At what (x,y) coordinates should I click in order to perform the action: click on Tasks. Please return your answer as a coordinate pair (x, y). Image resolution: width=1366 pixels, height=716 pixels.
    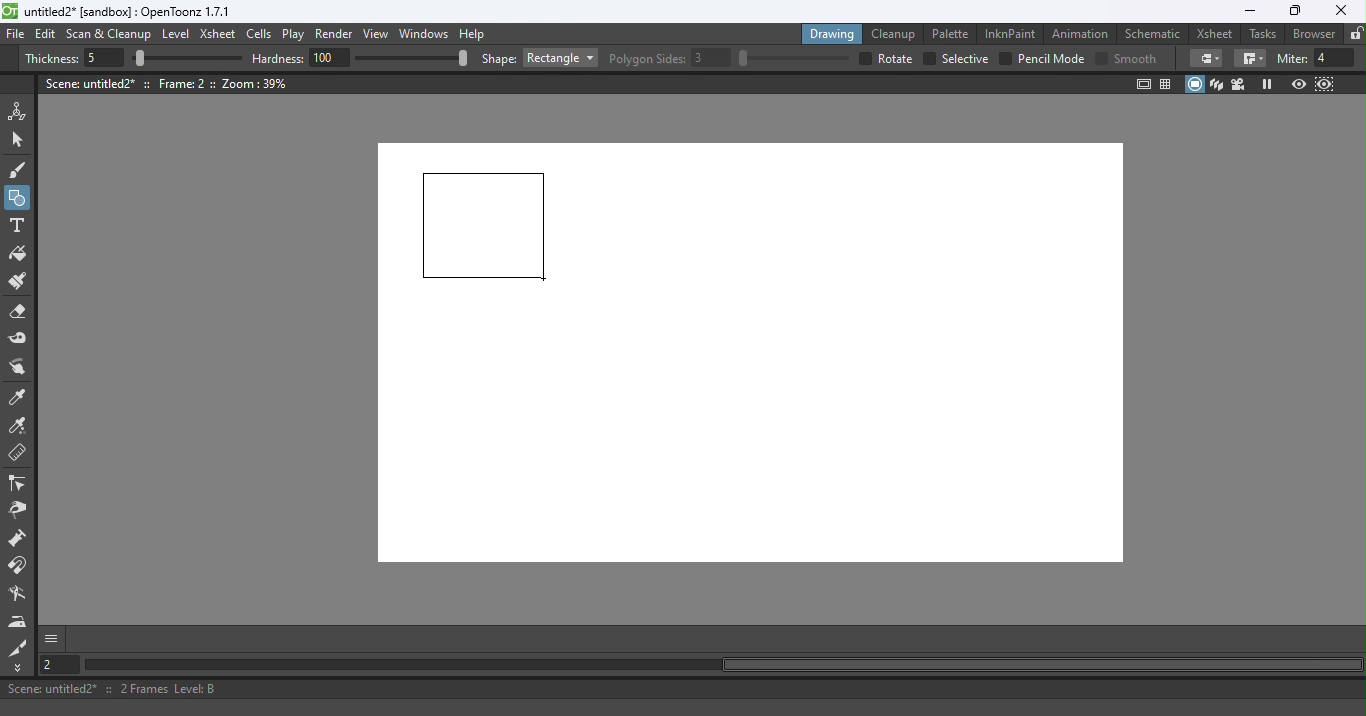
    Looking at the image, I should click on (1264, 34).